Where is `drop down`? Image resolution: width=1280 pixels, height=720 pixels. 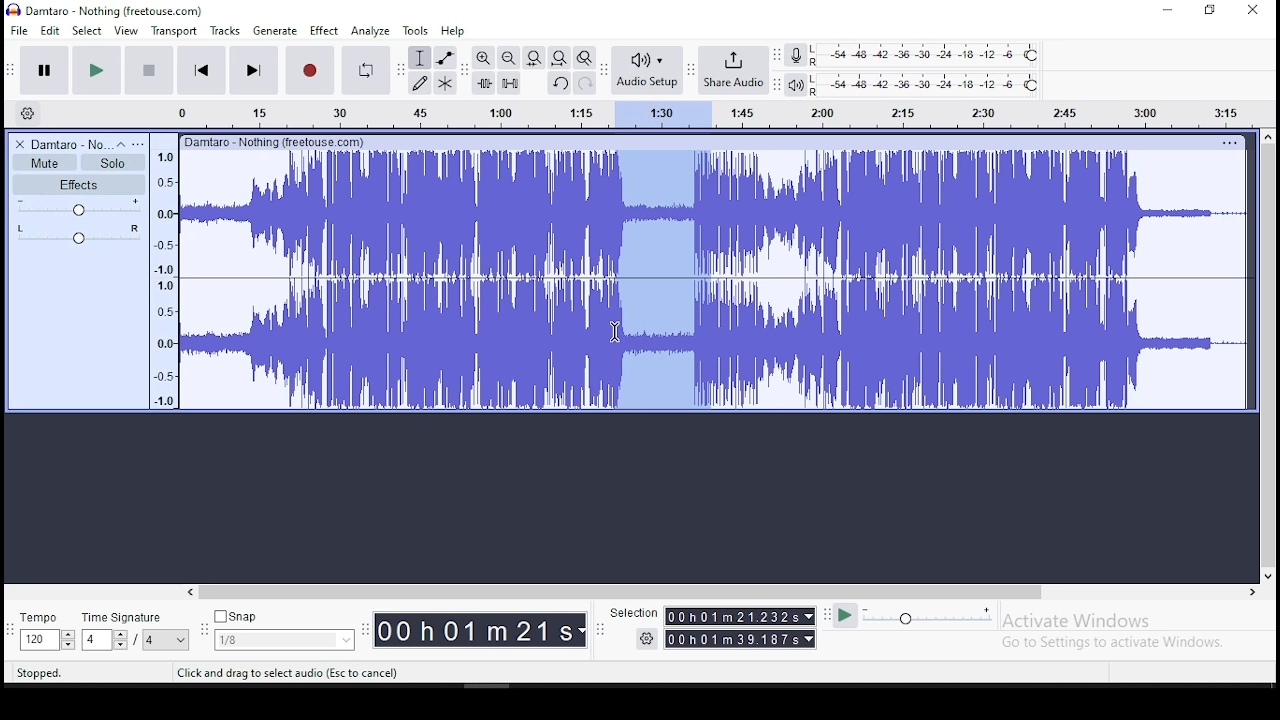 drop down is located at coordinates (119, 640).